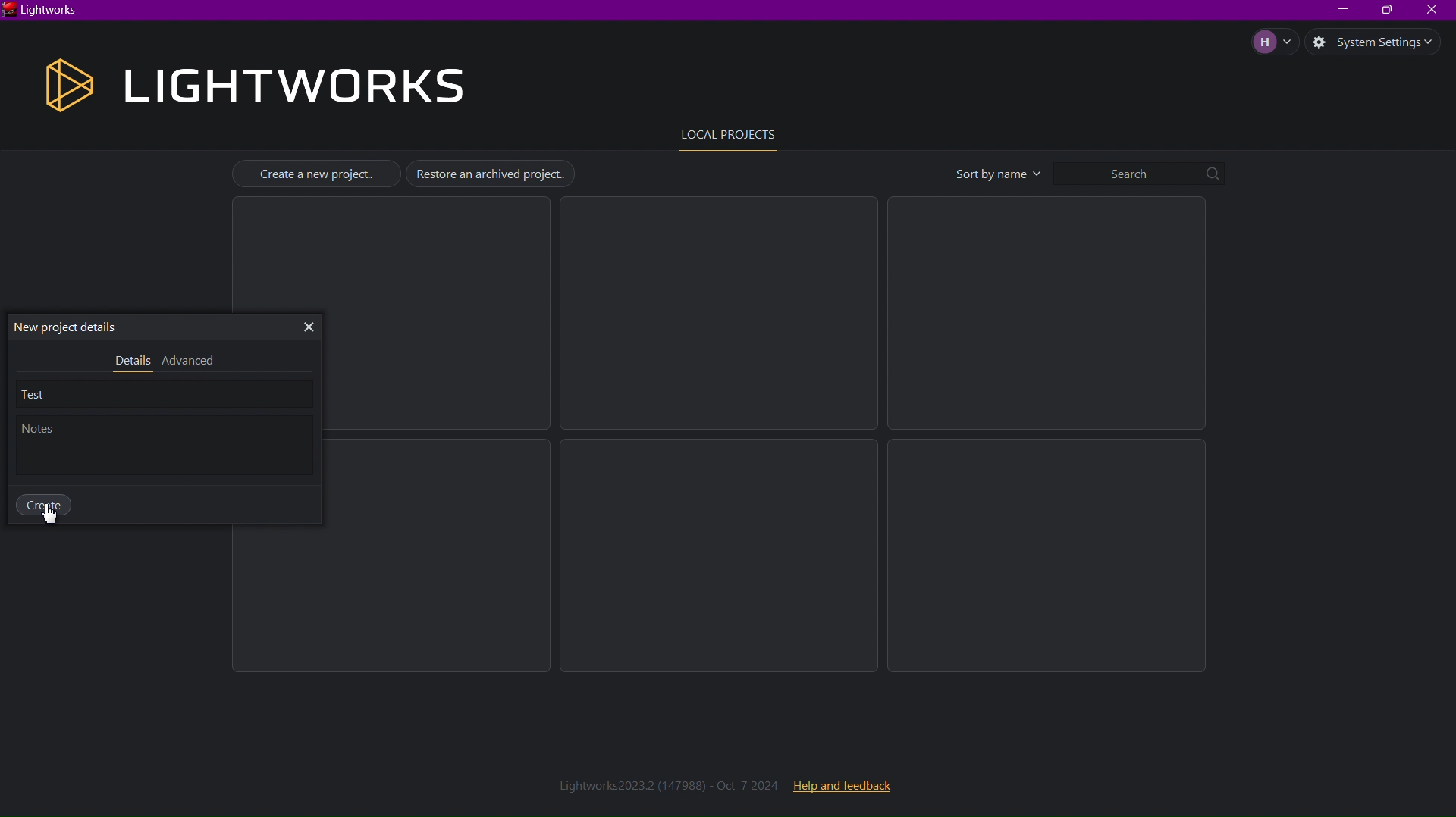  What do you see at coordinates (130, 362) in the screenshot?
I see `Details` at bounding box center [130, 362].